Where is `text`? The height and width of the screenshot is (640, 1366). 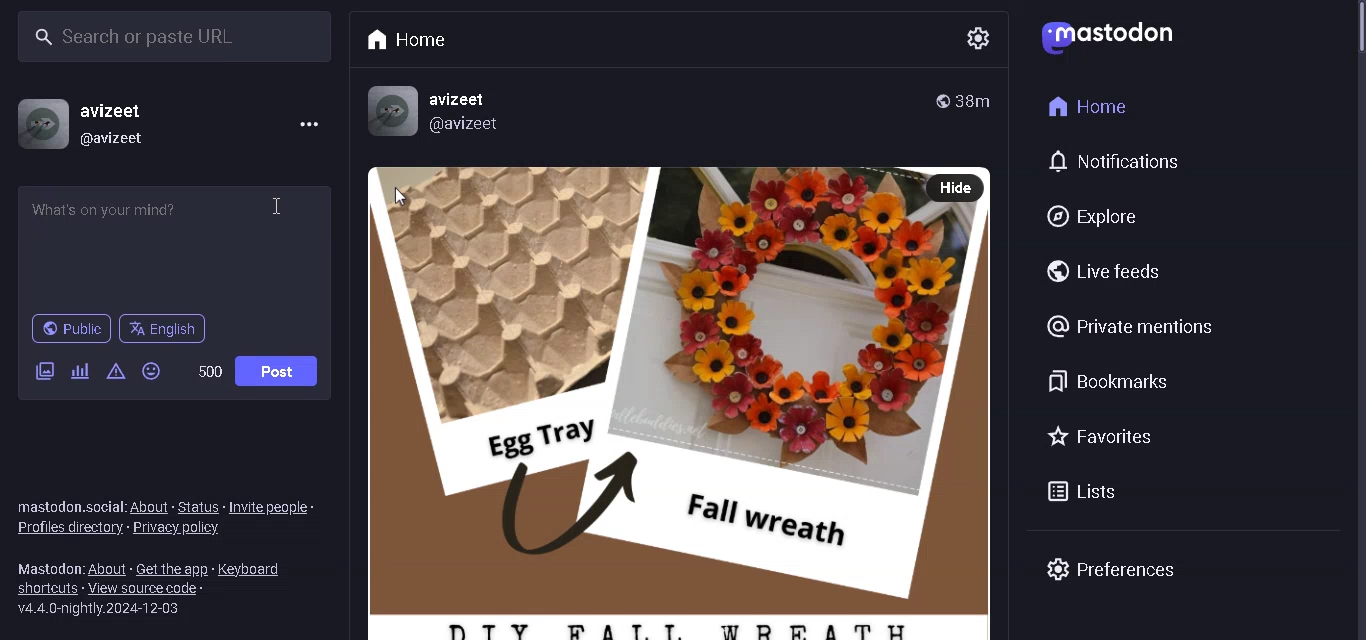
text is located at coordinates (70, 508).